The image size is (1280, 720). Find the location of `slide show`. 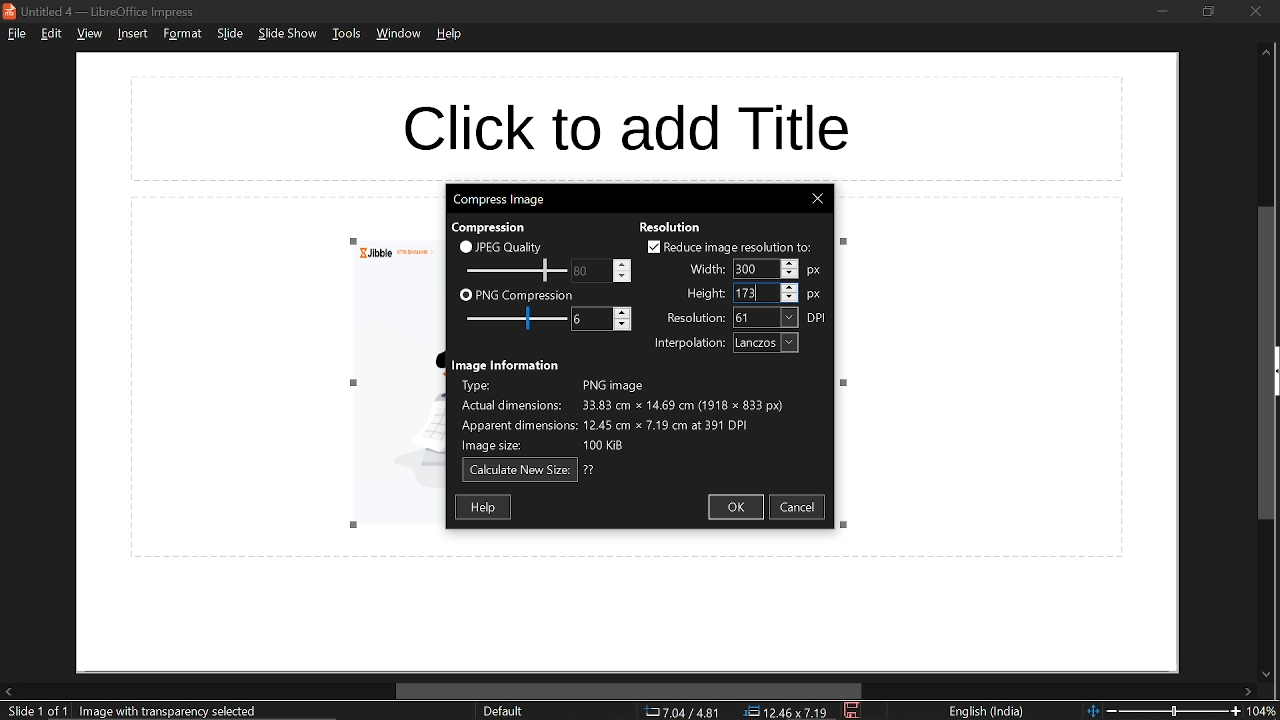

slide show is located at coordinates (288, 36).